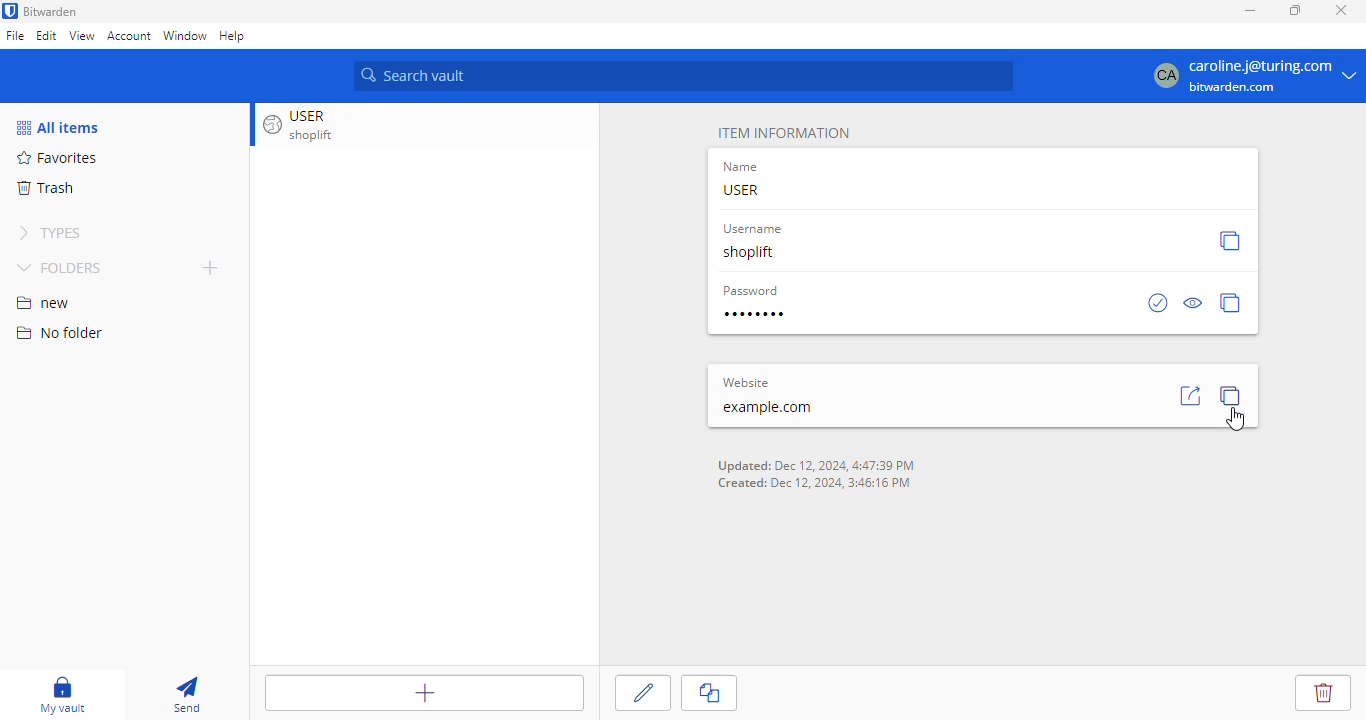  What do you see at coordinates (750, 291) in the screenshot?
I see `password` at bounding box center [750, 291].